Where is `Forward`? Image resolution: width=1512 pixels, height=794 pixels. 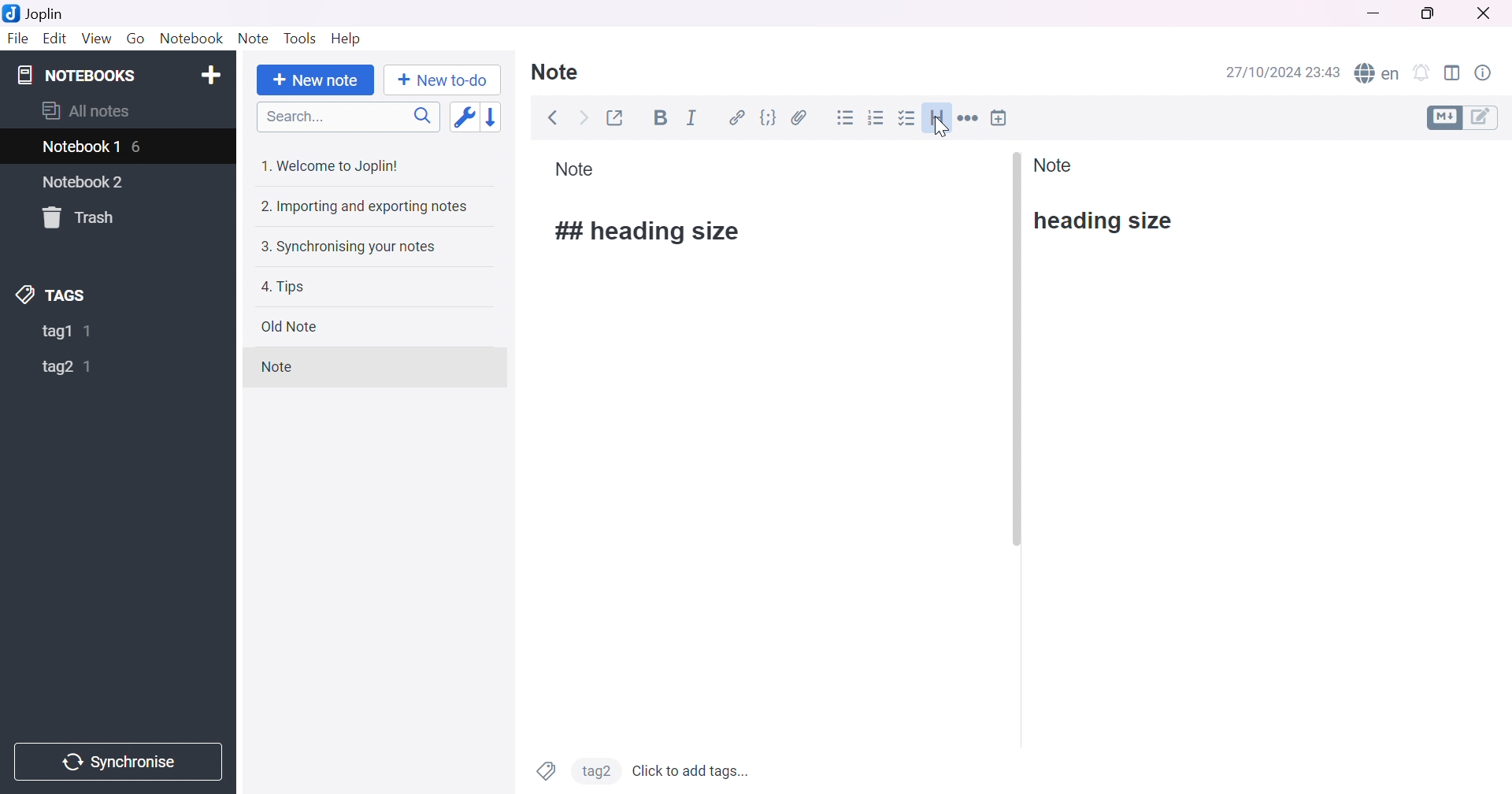
Forward is located at coordinates (583, 119).